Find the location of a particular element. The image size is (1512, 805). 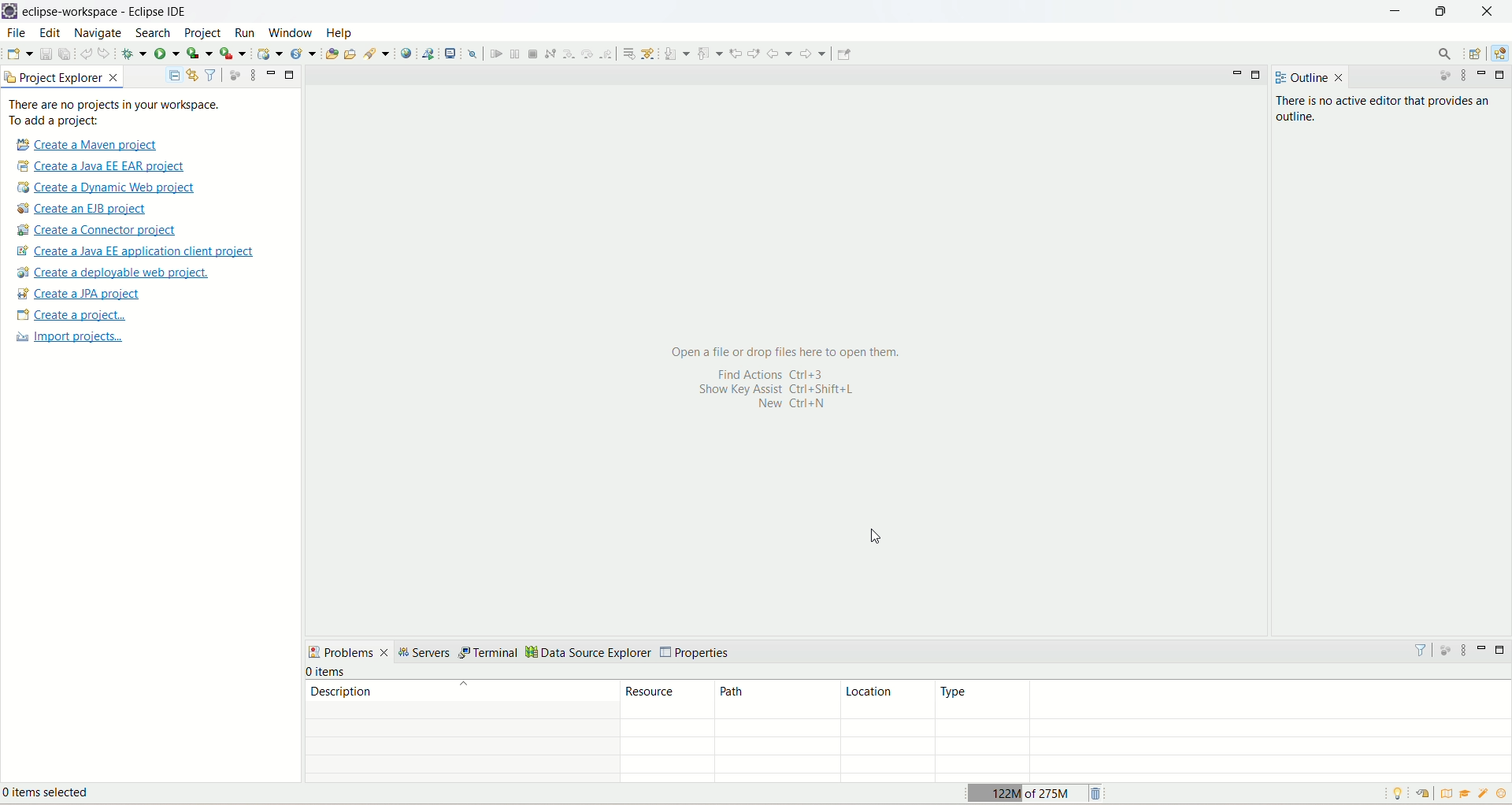

minimize is located at coordinates (1395, 13).